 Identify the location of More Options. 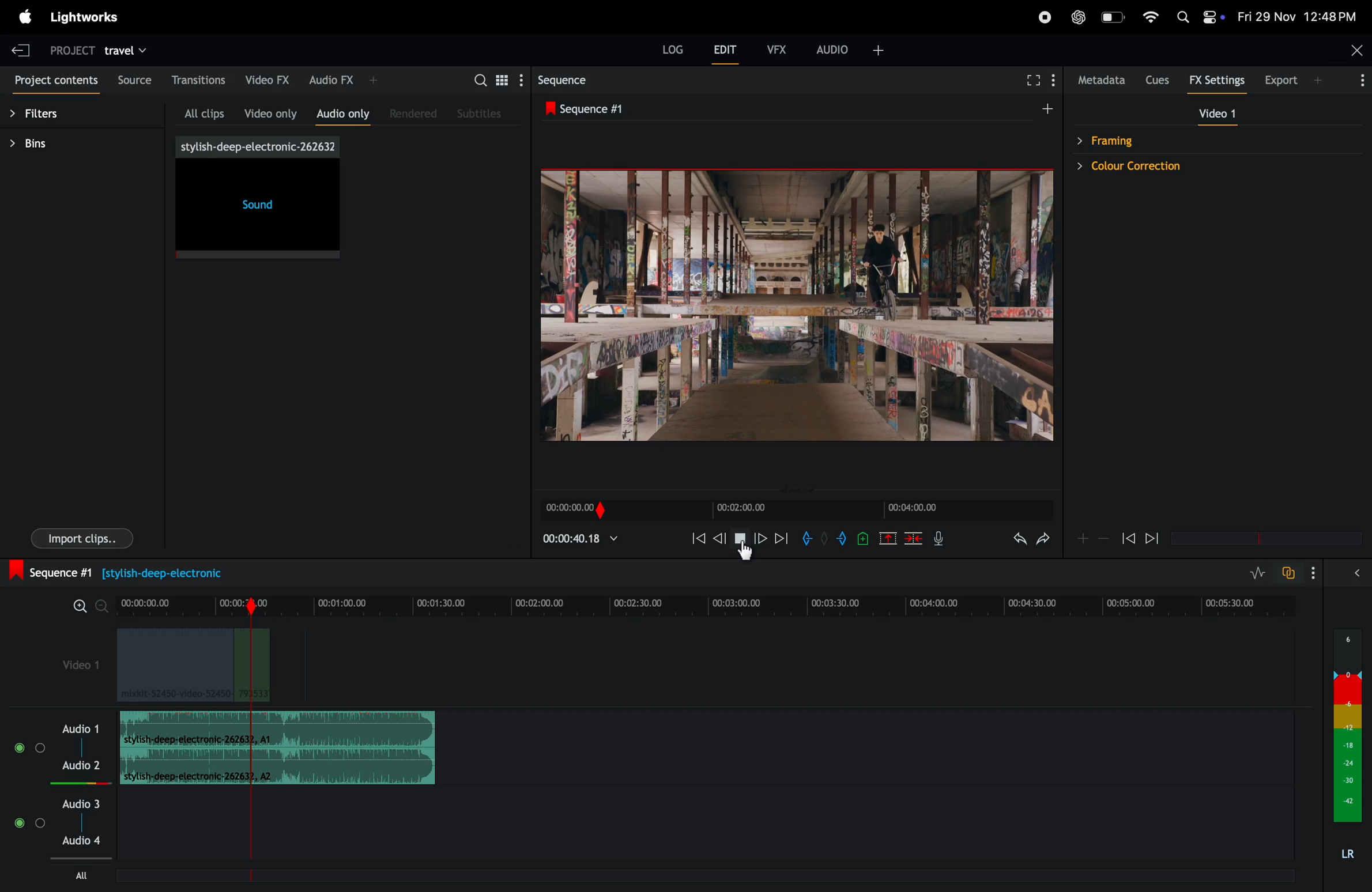
(1316, 573).